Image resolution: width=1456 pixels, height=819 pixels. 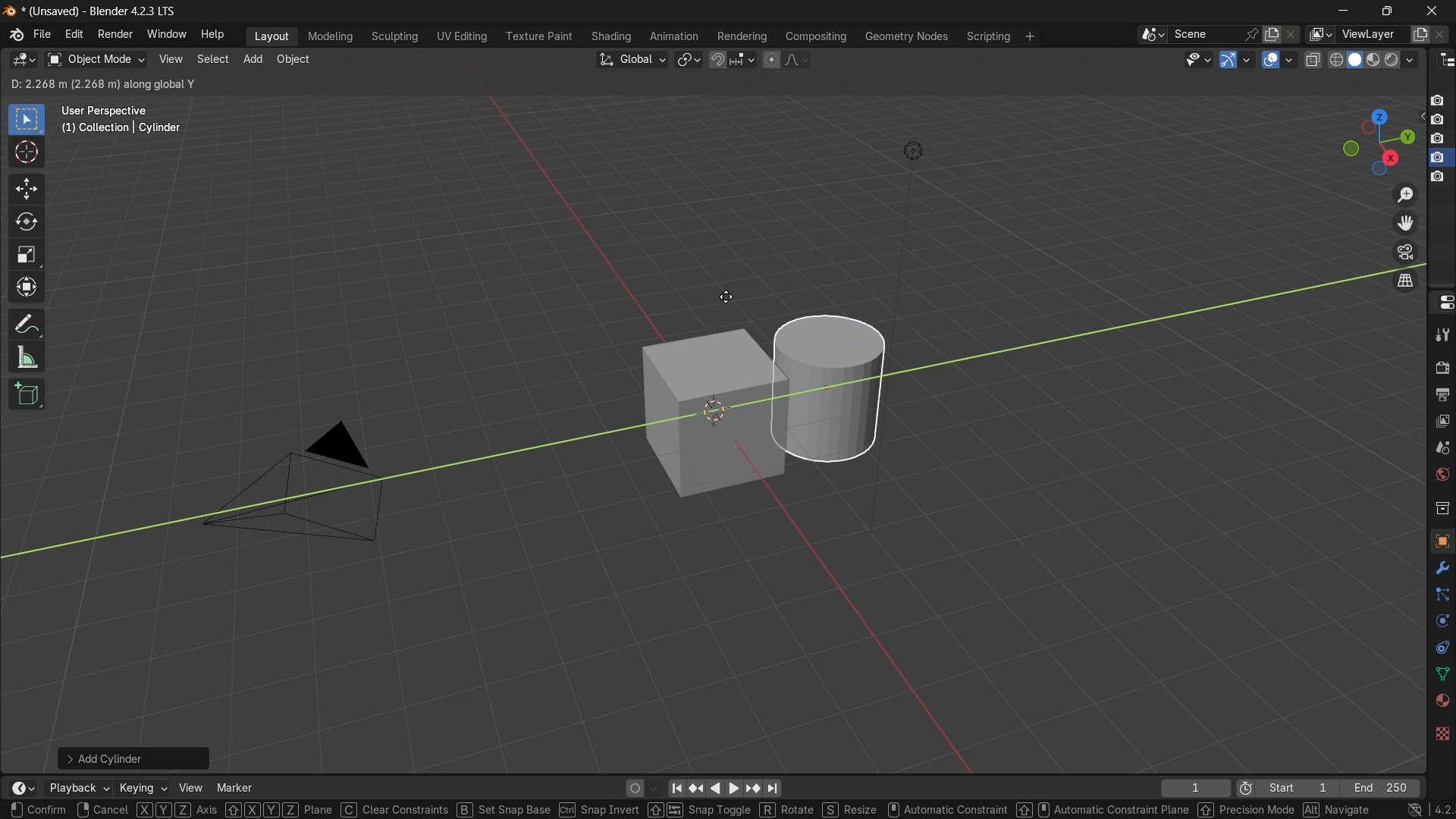 I want to click on transformation pivot table, so click(x=690, y=59).